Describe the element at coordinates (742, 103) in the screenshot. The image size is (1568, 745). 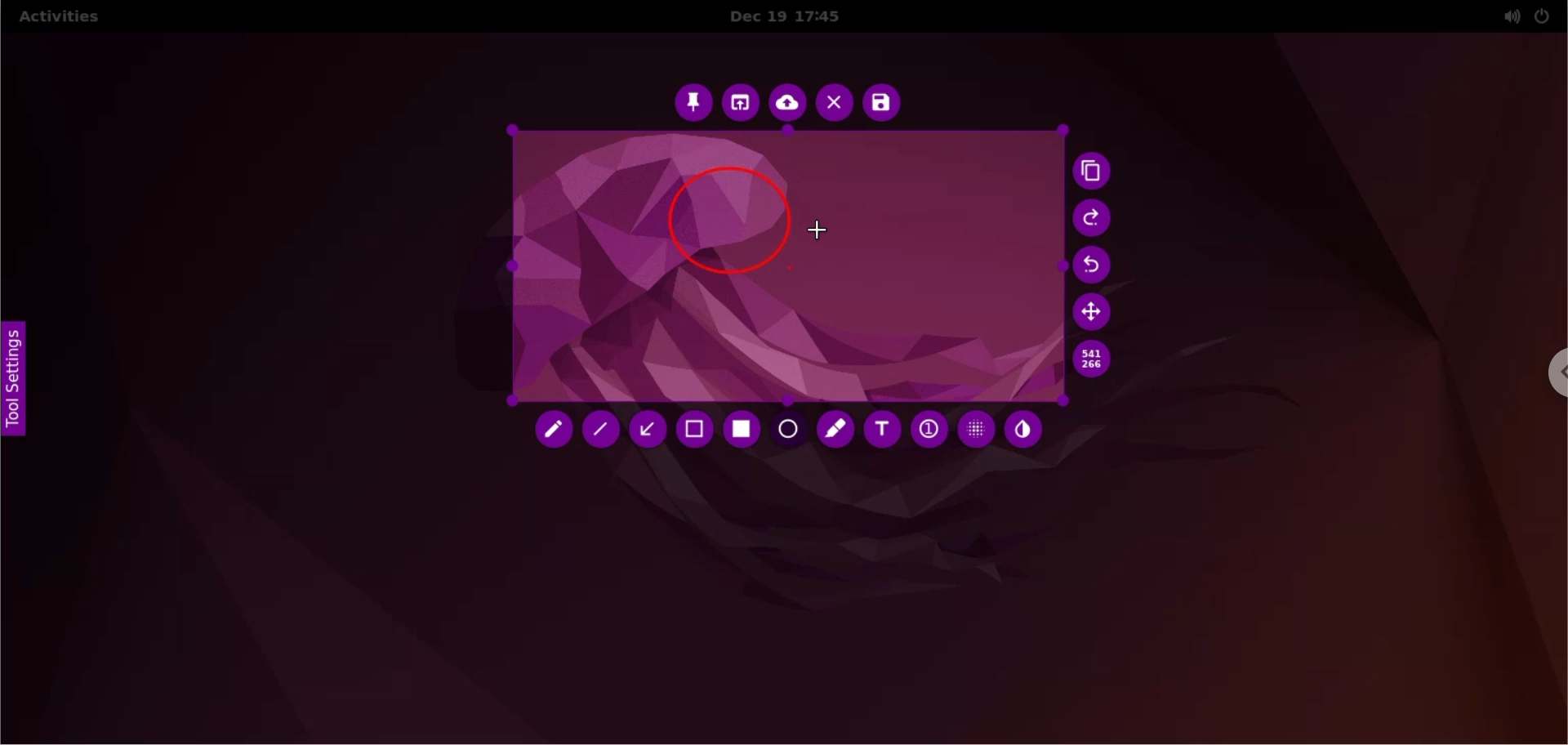
I see `choose app to open screenshot` at that location.